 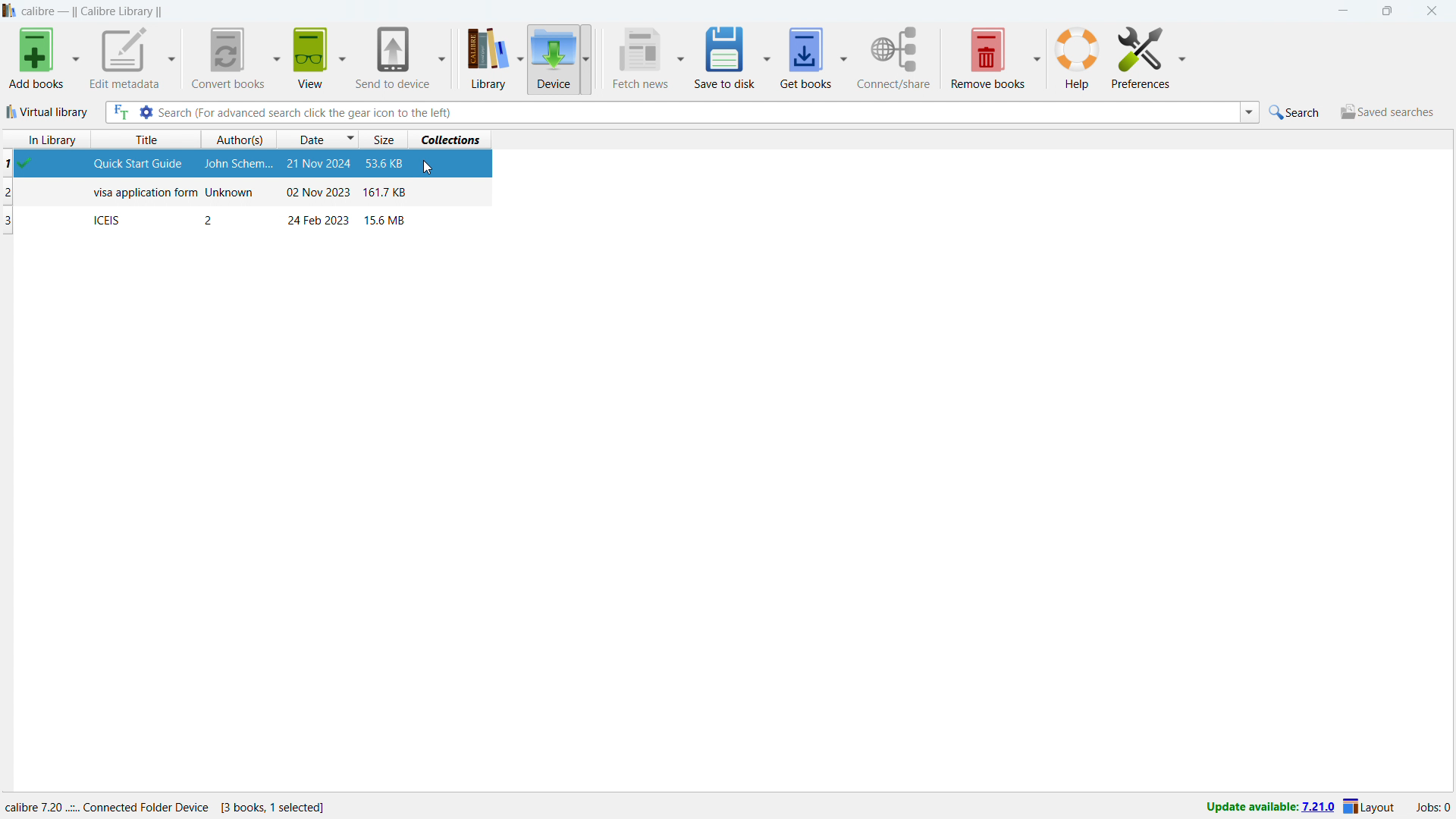 I want to click on get books options, so click(x=845, y=55).